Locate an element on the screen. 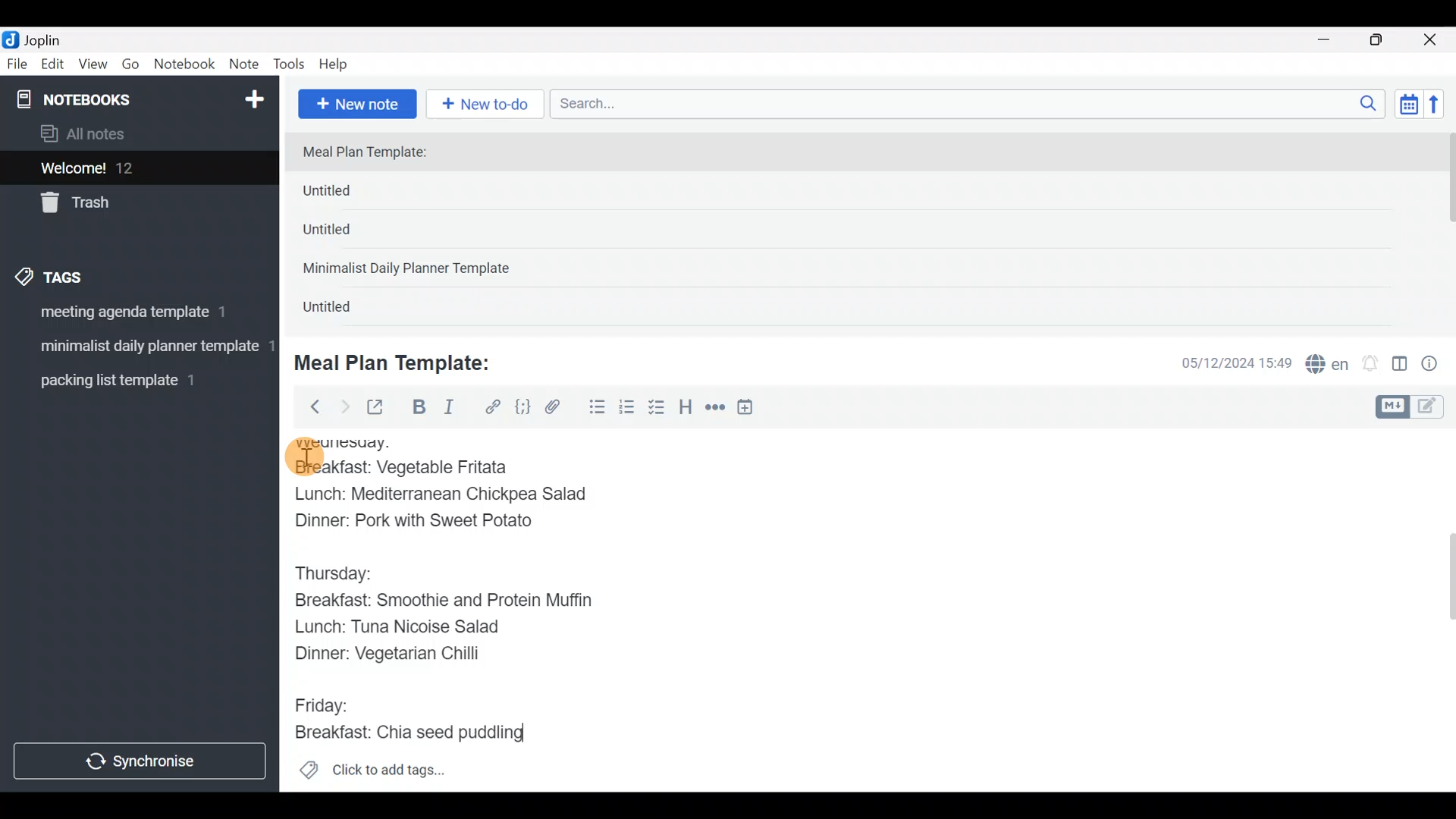 Image resolution: width=1456 pixels, height=819 pixels. Forward is located at coordinates (344, 406).